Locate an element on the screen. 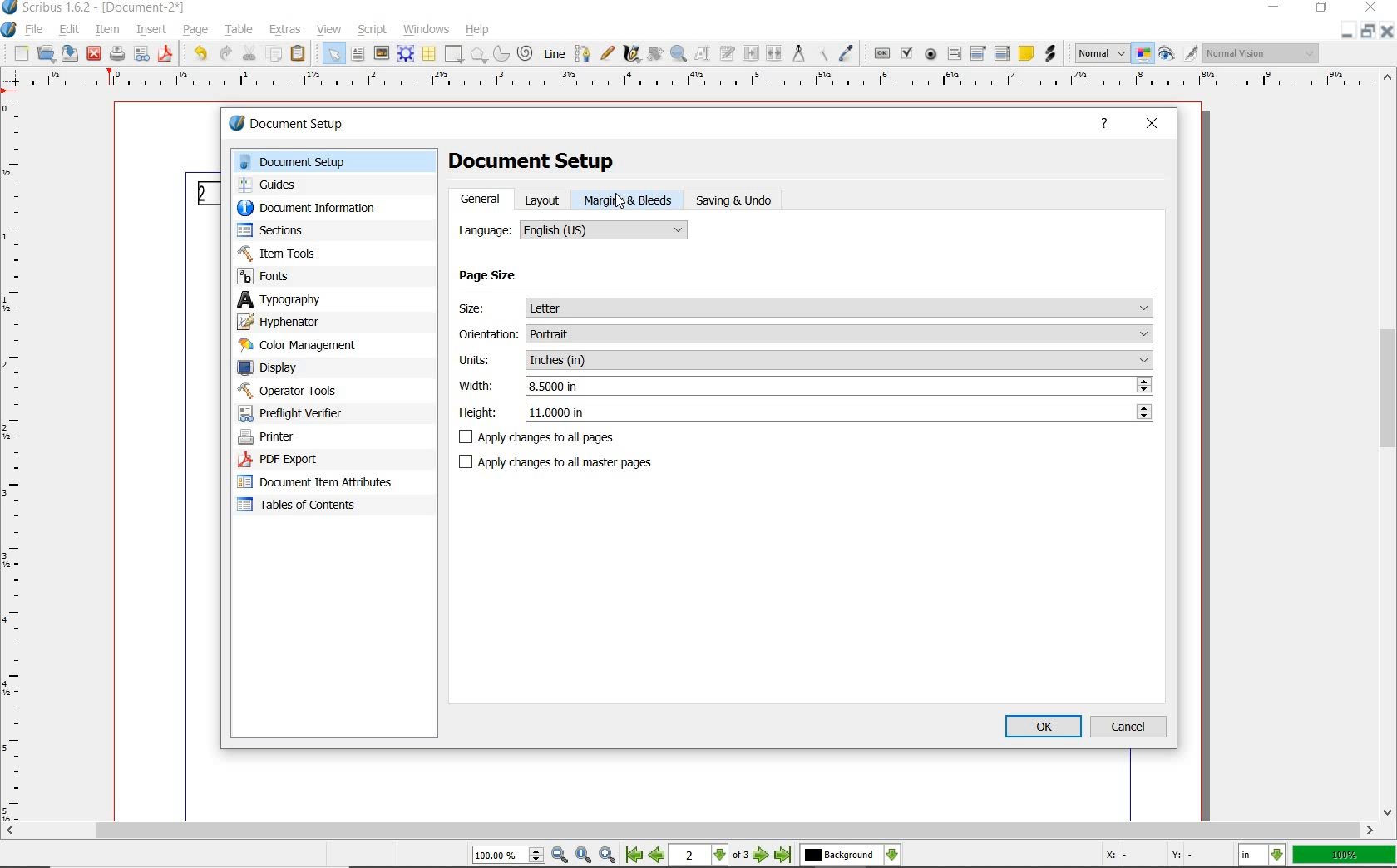 This screenshot has height=868, width=1397. text annotation is located at coordinates (1026, 54).